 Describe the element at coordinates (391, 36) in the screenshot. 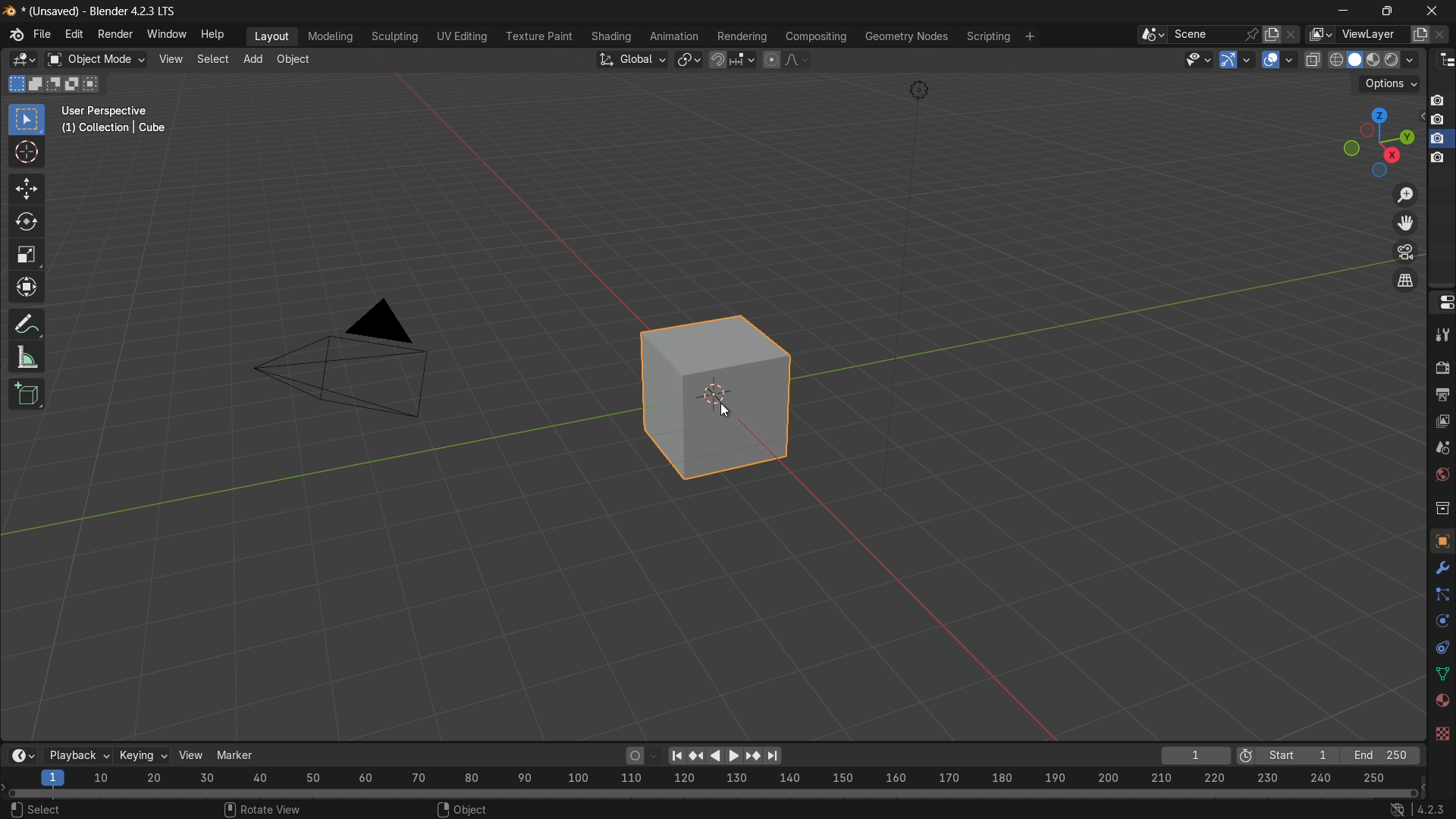

I see `sculpting menu` at that location.